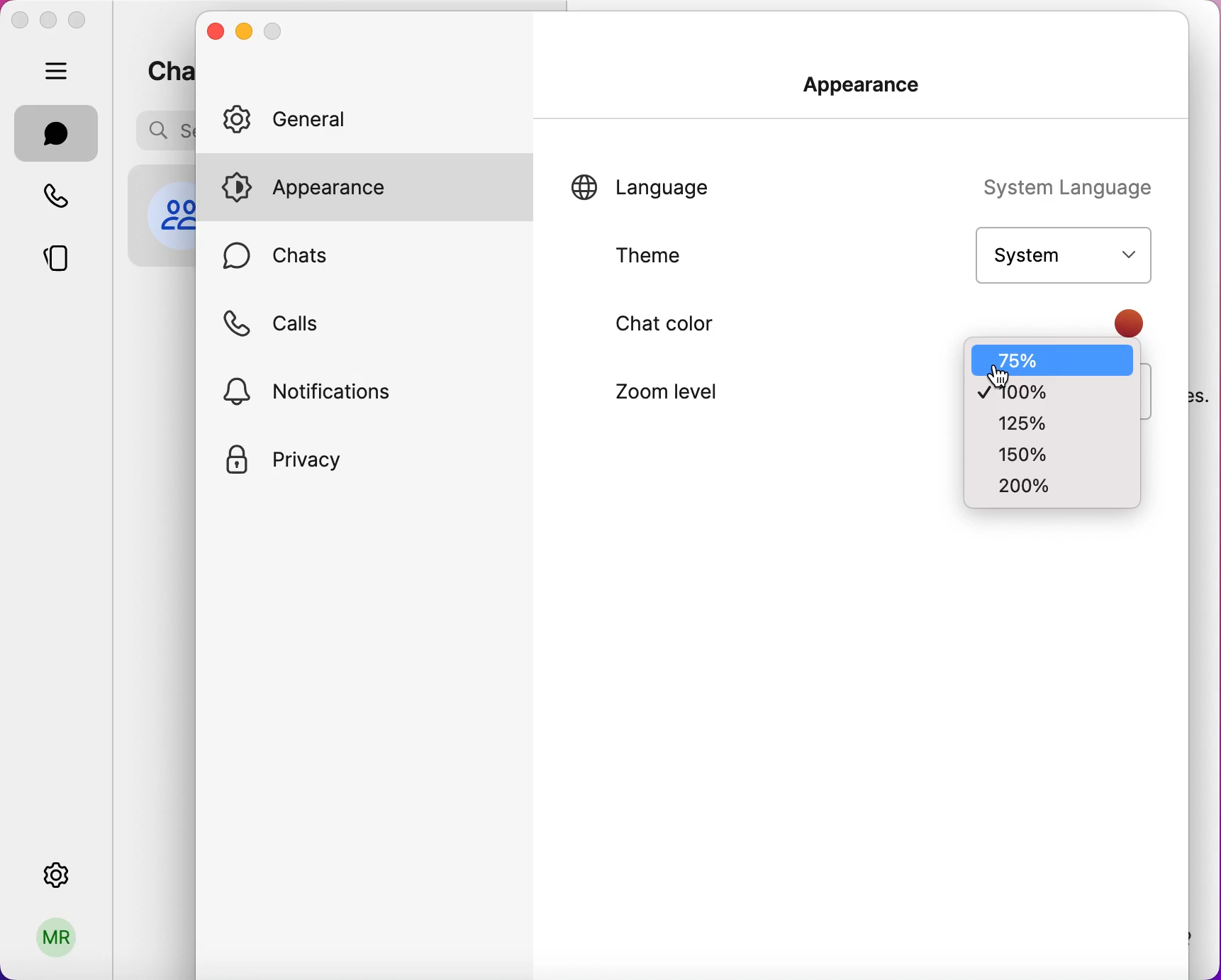 The width and height of the screenshot is (1221, 980). What do you see at coordinates (55, 199) in the screenshot?
I see `calls` at bounding box center [55, 199].